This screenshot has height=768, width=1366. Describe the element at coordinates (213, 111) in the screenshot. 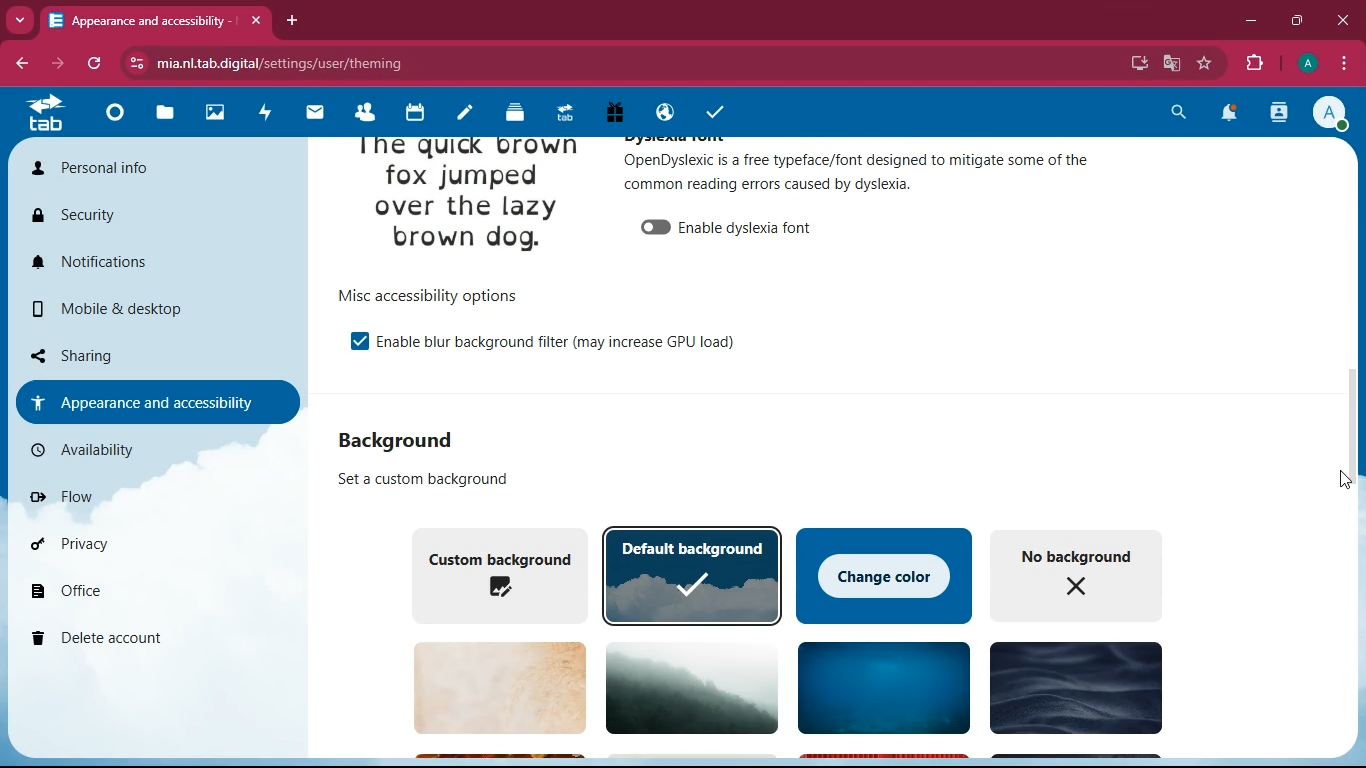

I see `images` at that location.